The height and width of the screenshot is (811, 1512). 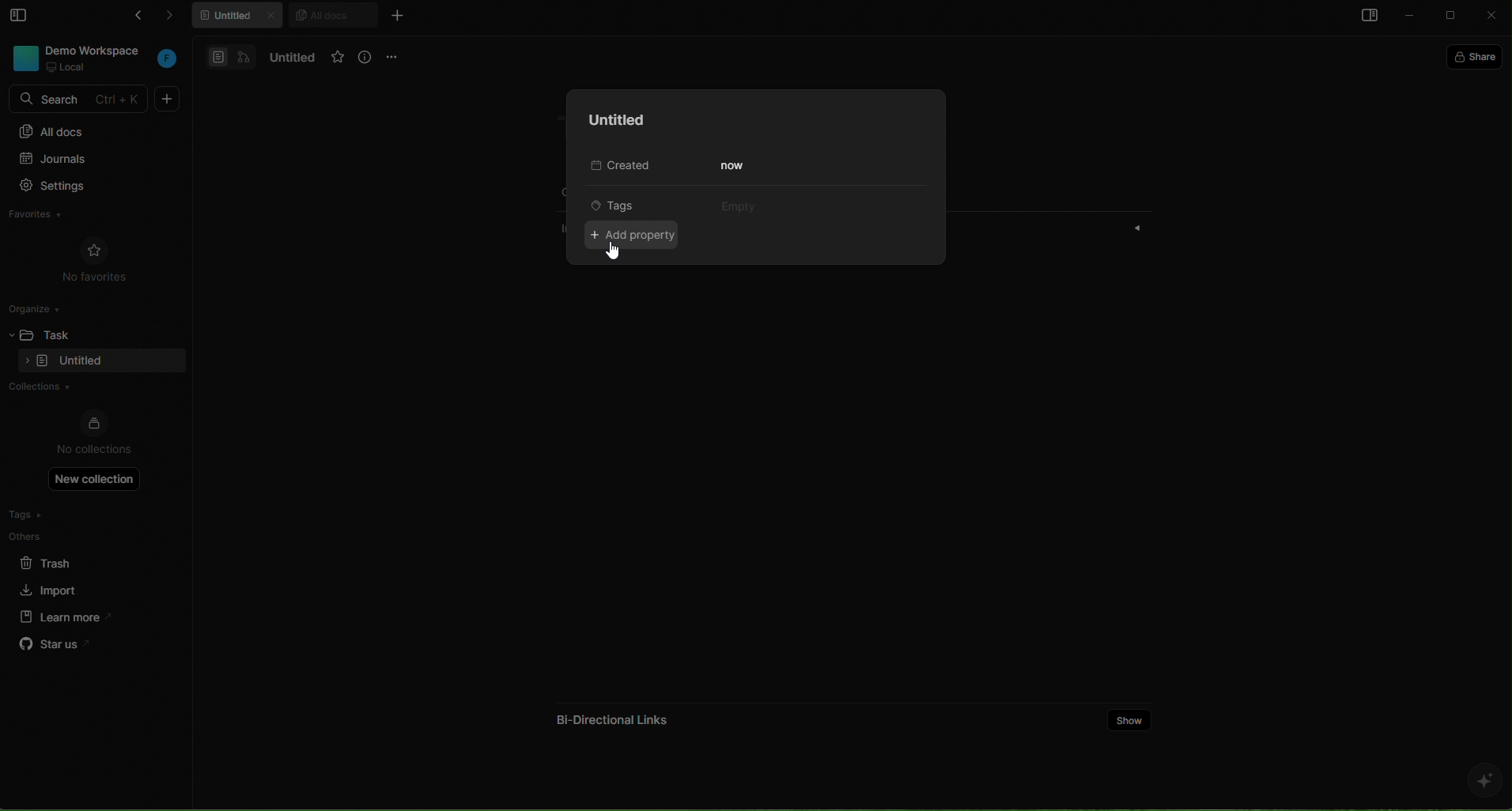 I want to click on info, so click(x=366, y=58).